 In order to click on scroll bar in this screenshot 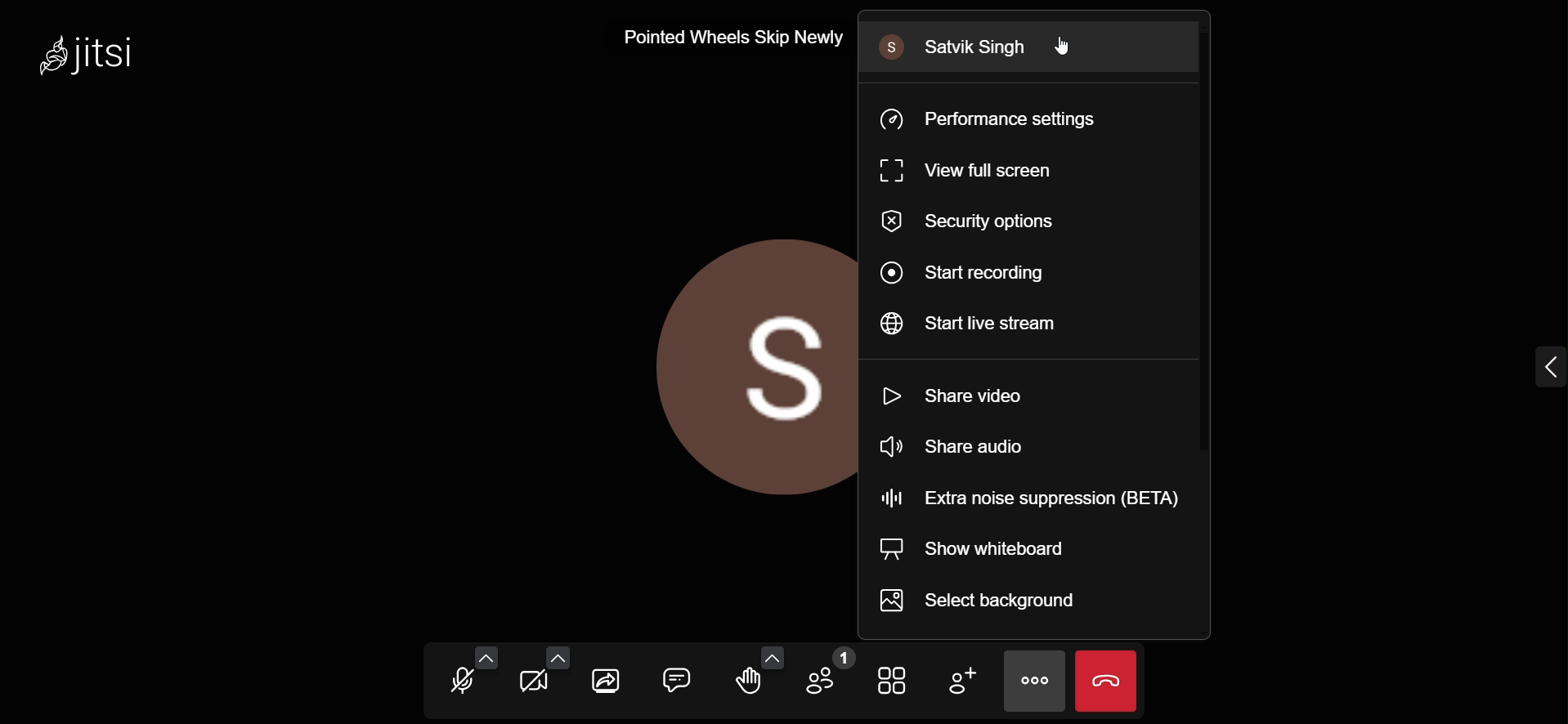, I will do `click(1213, 328)`.